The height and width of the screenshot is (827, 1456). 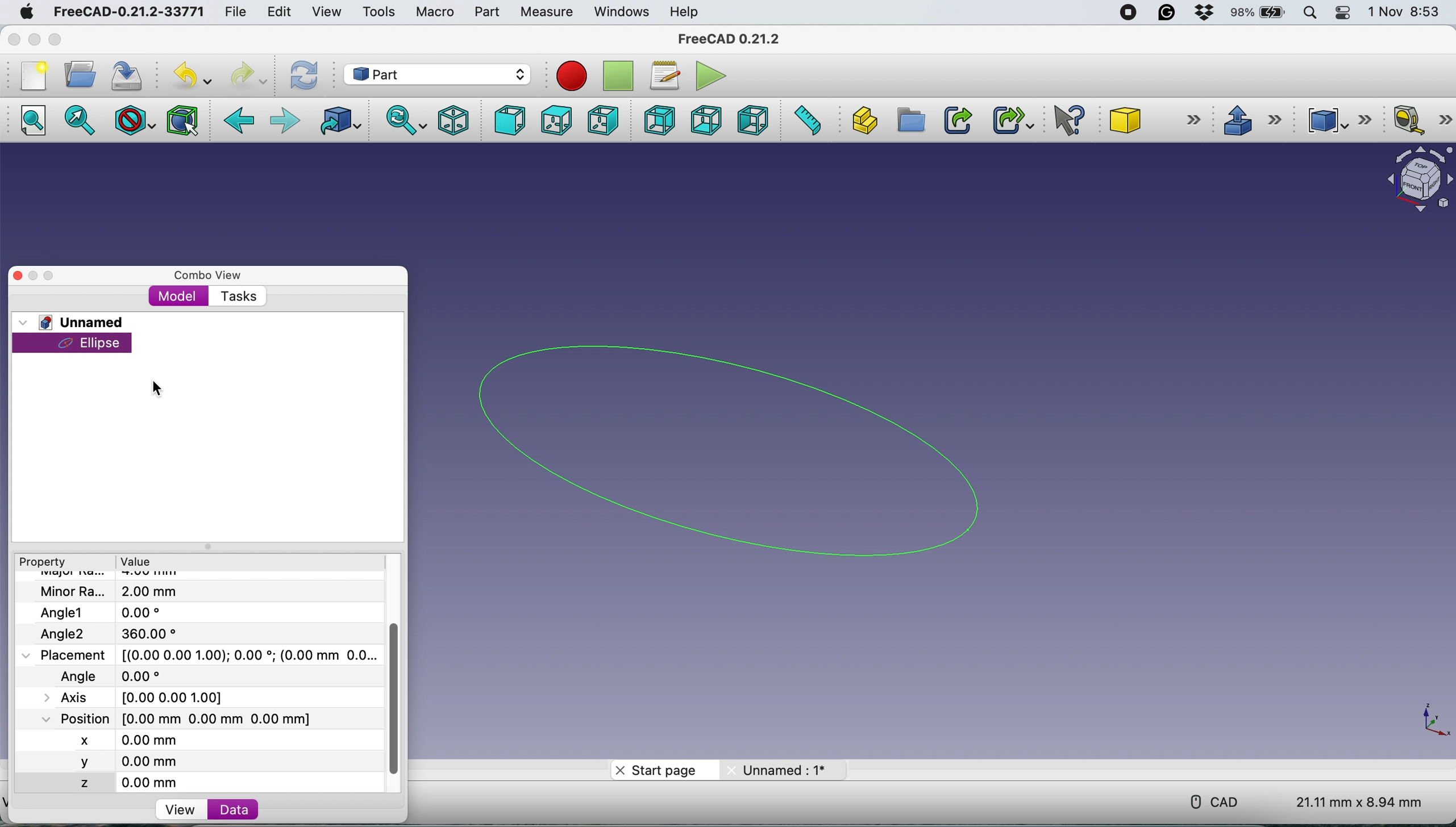 What do you see at coordinates (605, 120) in the screenshot?
I see `right` at bounding box center [605, 120].